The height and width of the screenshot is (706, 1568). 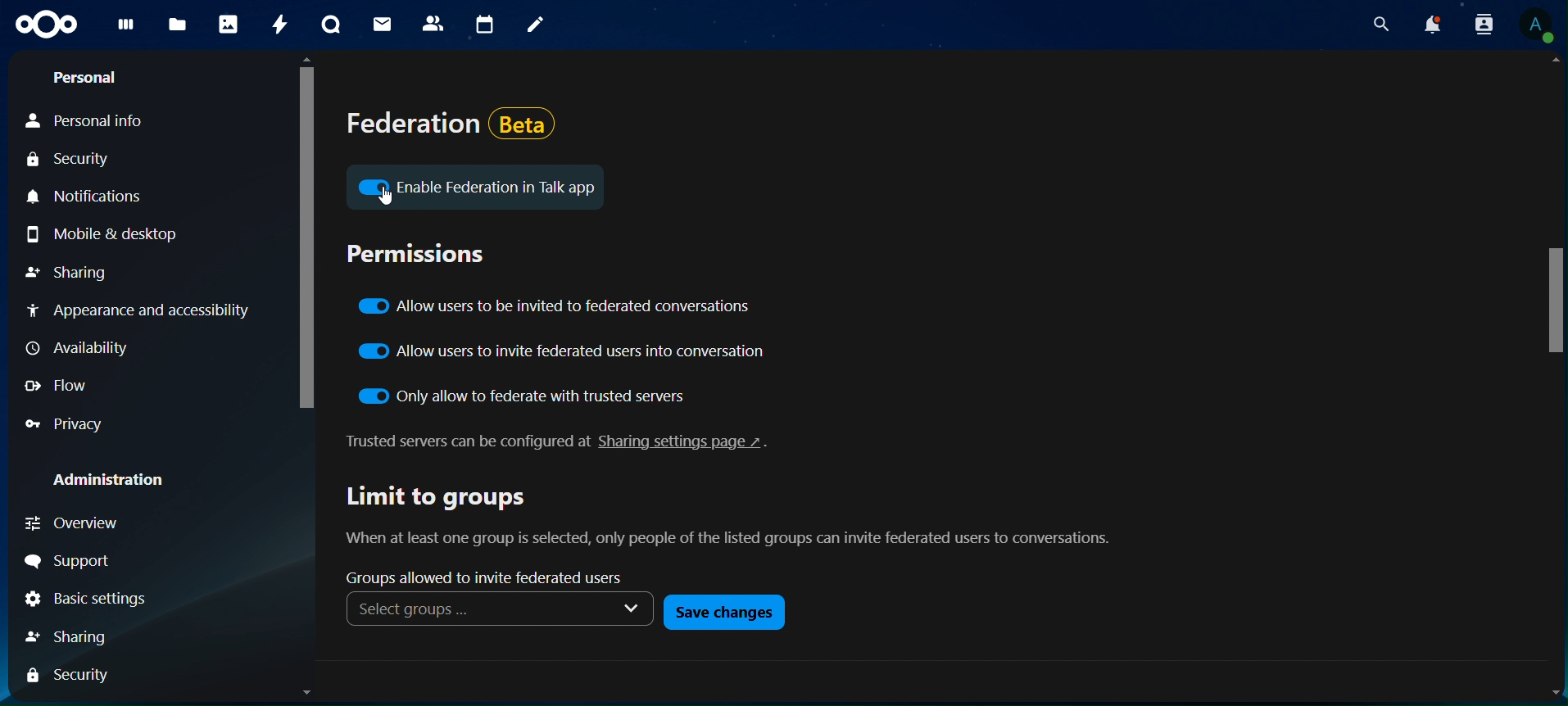 What do you see at coordinates (495, 577) in the screenshot?
I see `groups allowed to invite federated users` at bounding box center [495, 577].